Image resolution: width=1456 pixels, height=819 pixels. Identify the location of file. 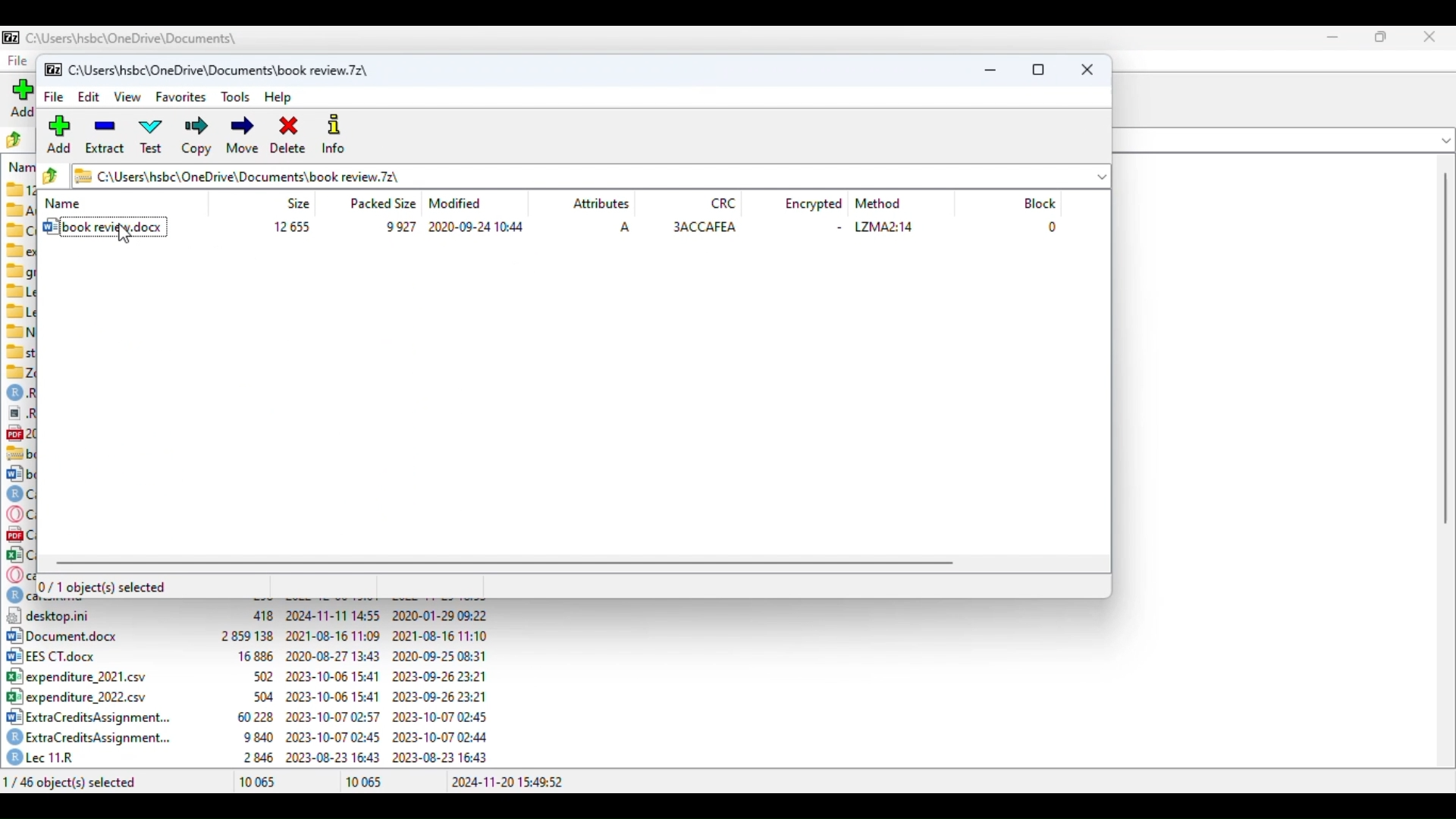
(54, 96).